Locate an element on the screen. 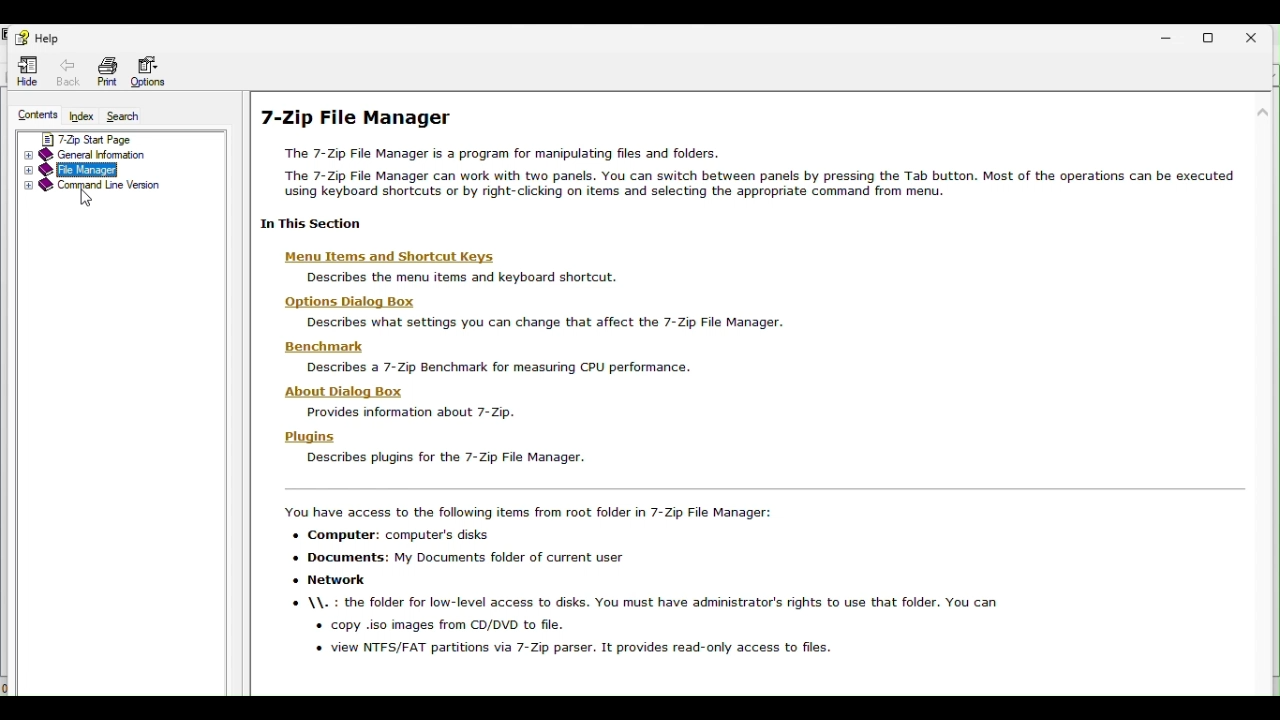 This screenshot has height=720, width=1280. Restore is located at coordinates (1220, 37).